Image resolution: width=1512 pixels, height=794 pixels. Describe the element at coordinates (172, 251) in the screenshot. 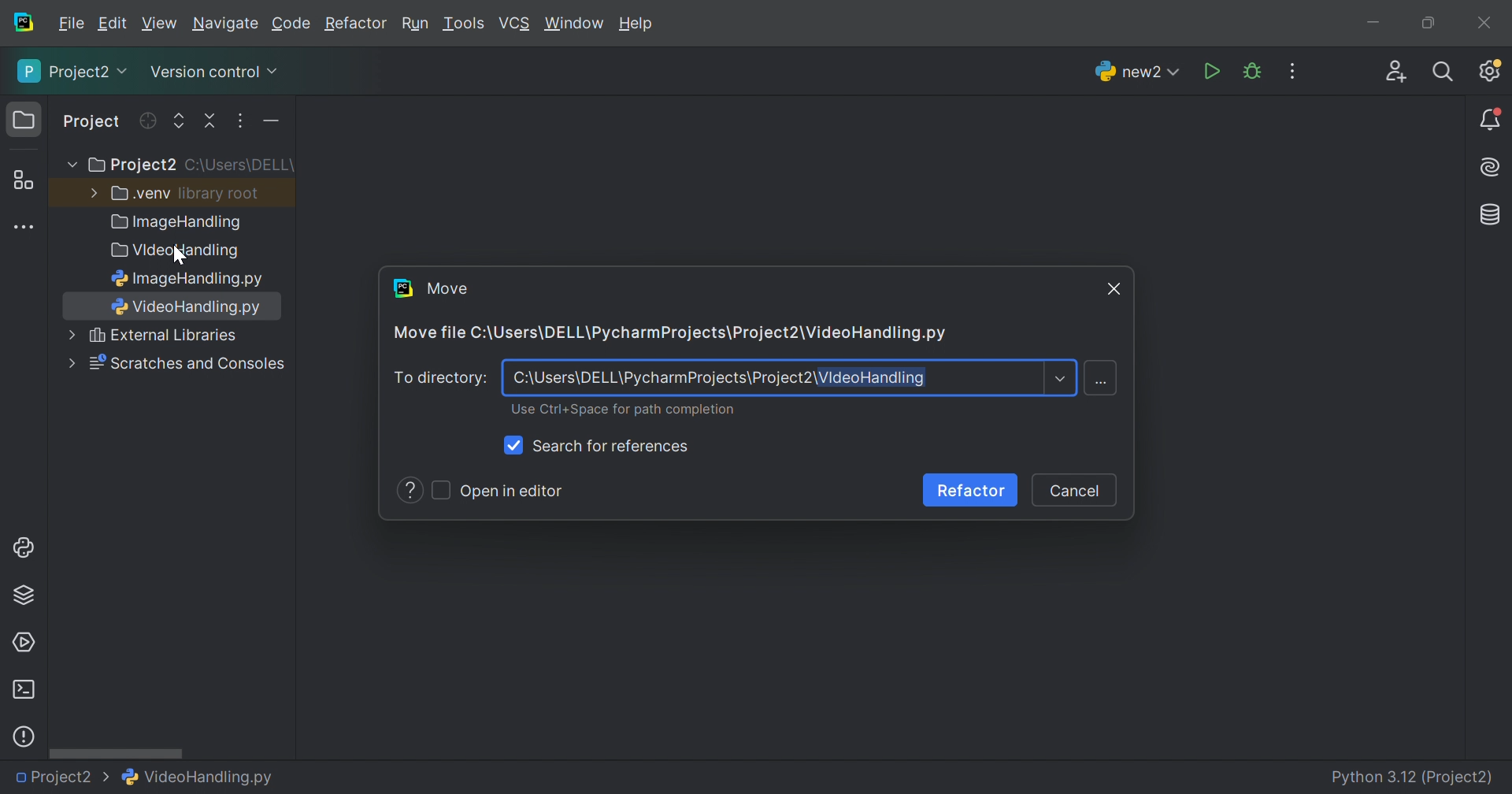

I see `VideoHandling` at that location.